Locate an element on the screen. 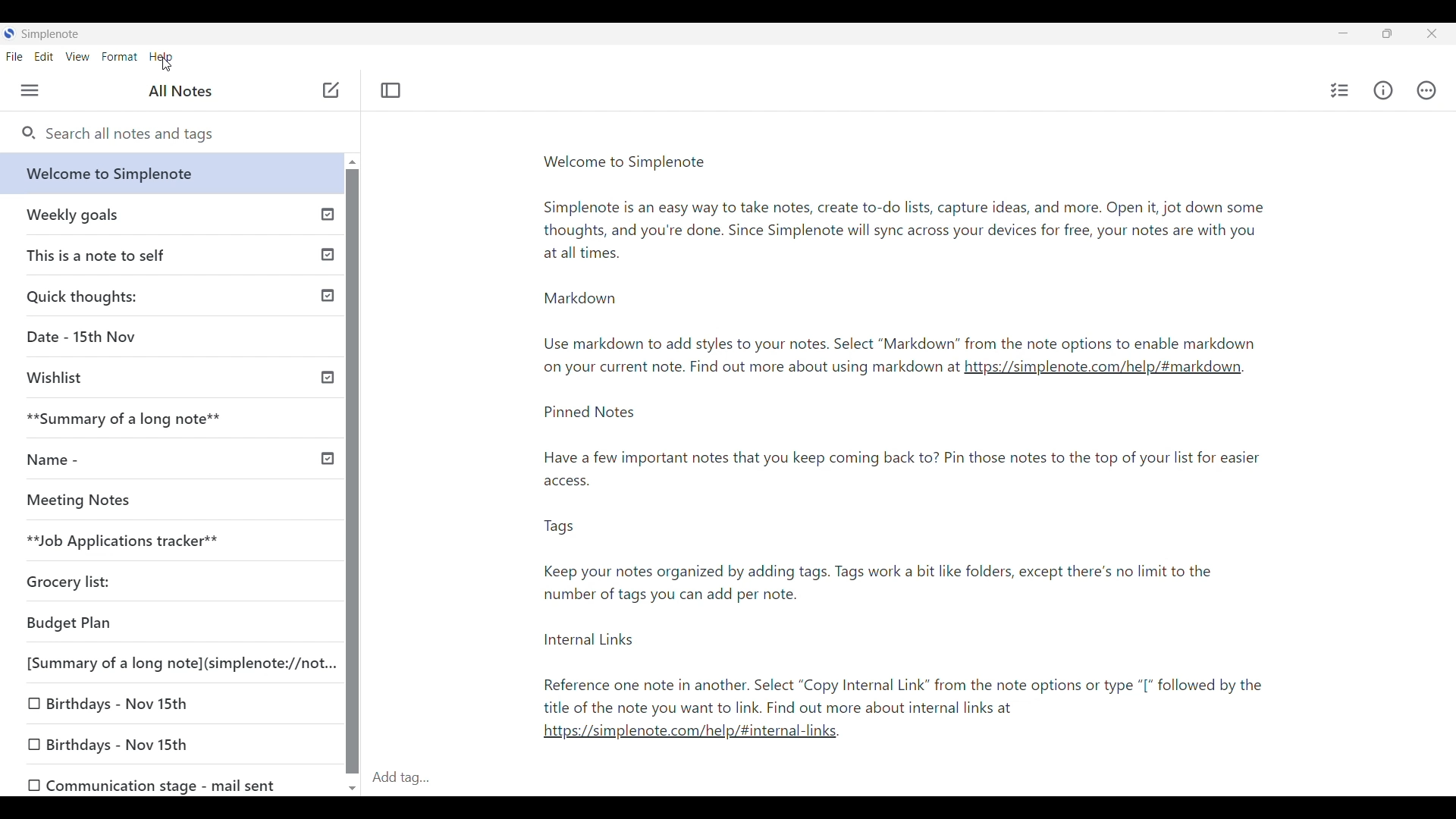 The height and width of the screenshot is (819, 1456). Birthdays - Nov 15th is located at coordinates (99, 745).